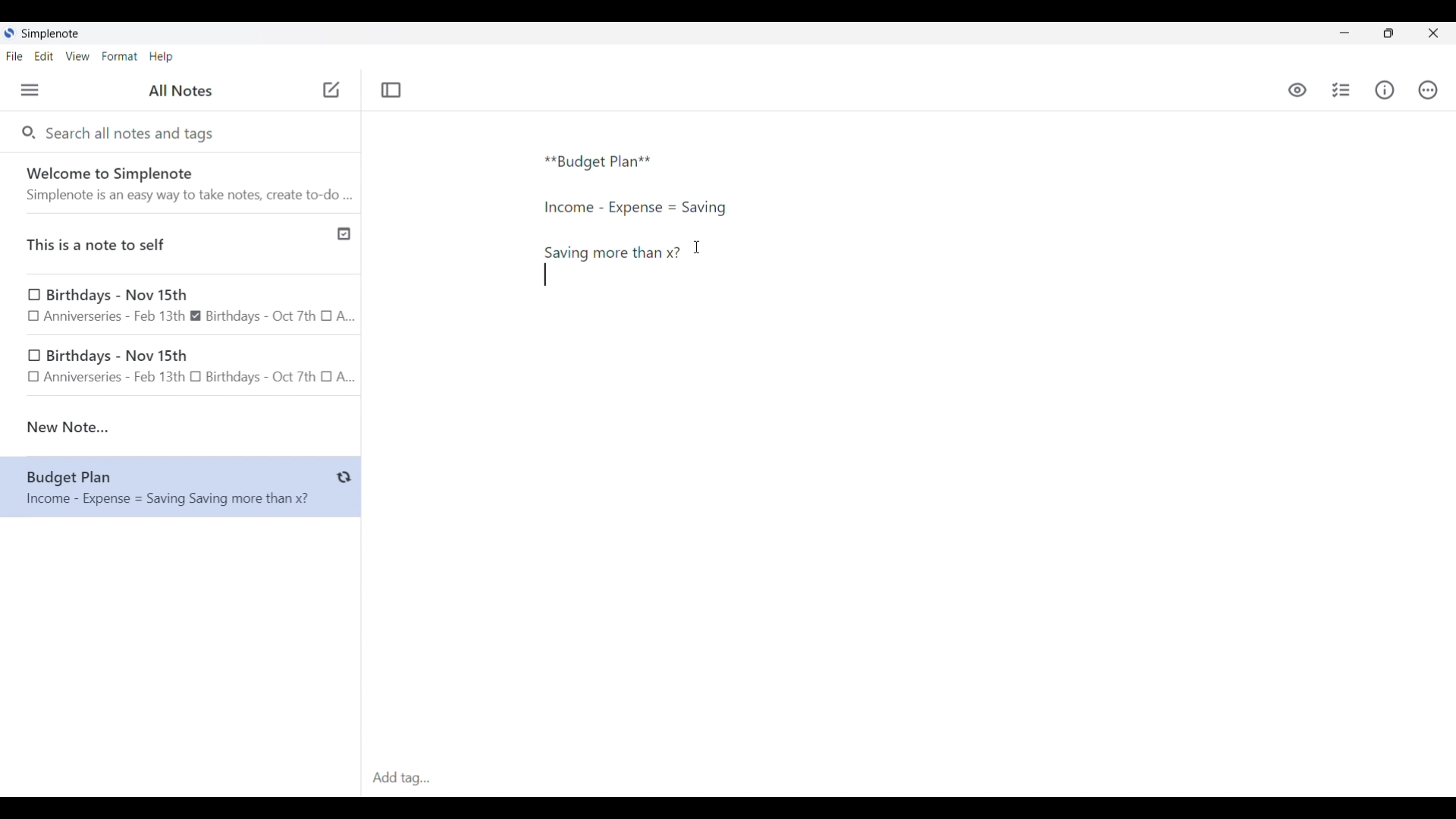 The image size is (1456, 819). What do you see at coordinates (1298, 90) in the screenshot?
I see `Toggle to see markdown preview` at bounding box center [1298, 90].